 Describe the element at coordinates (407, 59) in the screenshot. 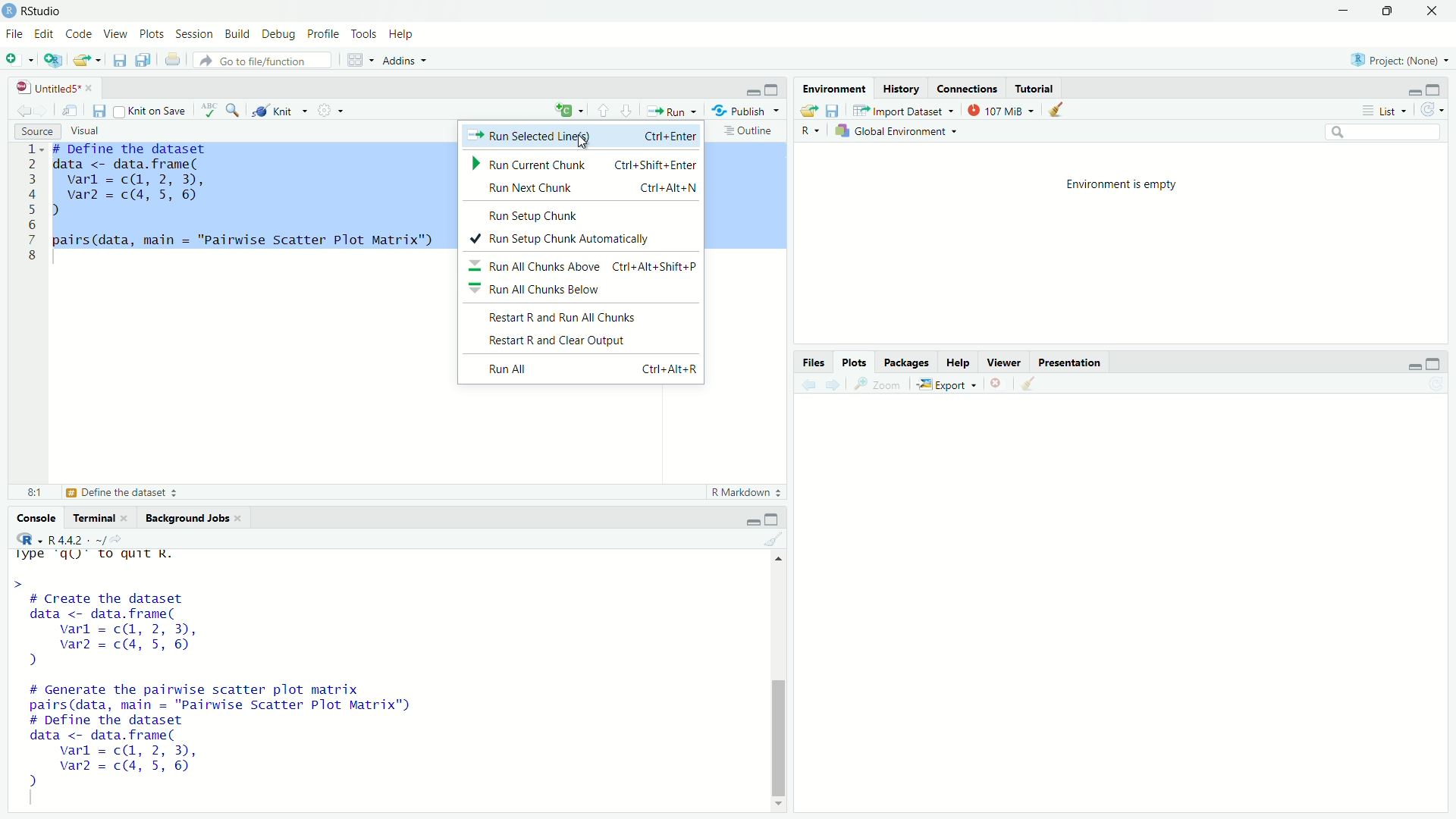

I see `Addins` at that location.